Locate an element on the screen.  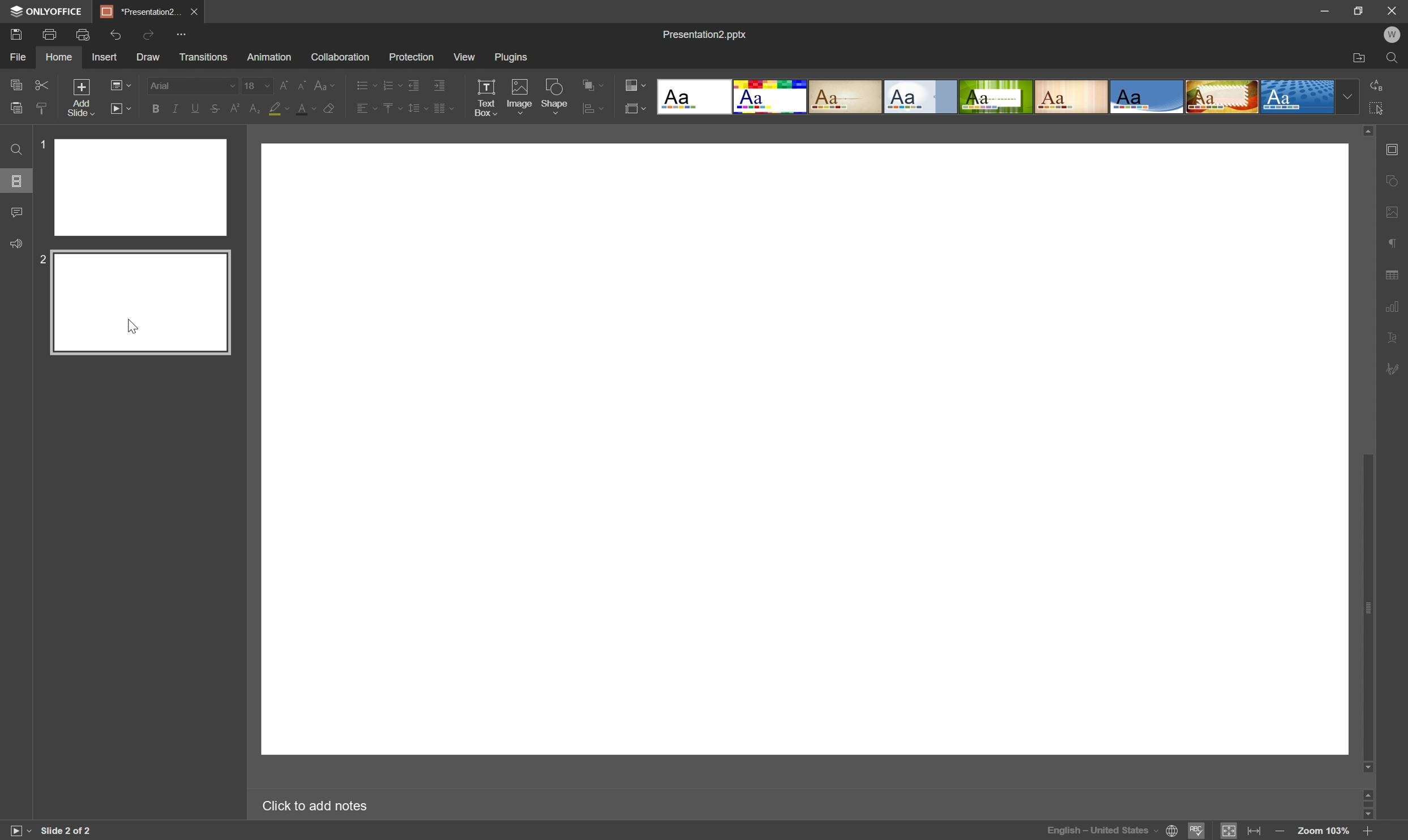
1 is located at coordinates (43, 144).